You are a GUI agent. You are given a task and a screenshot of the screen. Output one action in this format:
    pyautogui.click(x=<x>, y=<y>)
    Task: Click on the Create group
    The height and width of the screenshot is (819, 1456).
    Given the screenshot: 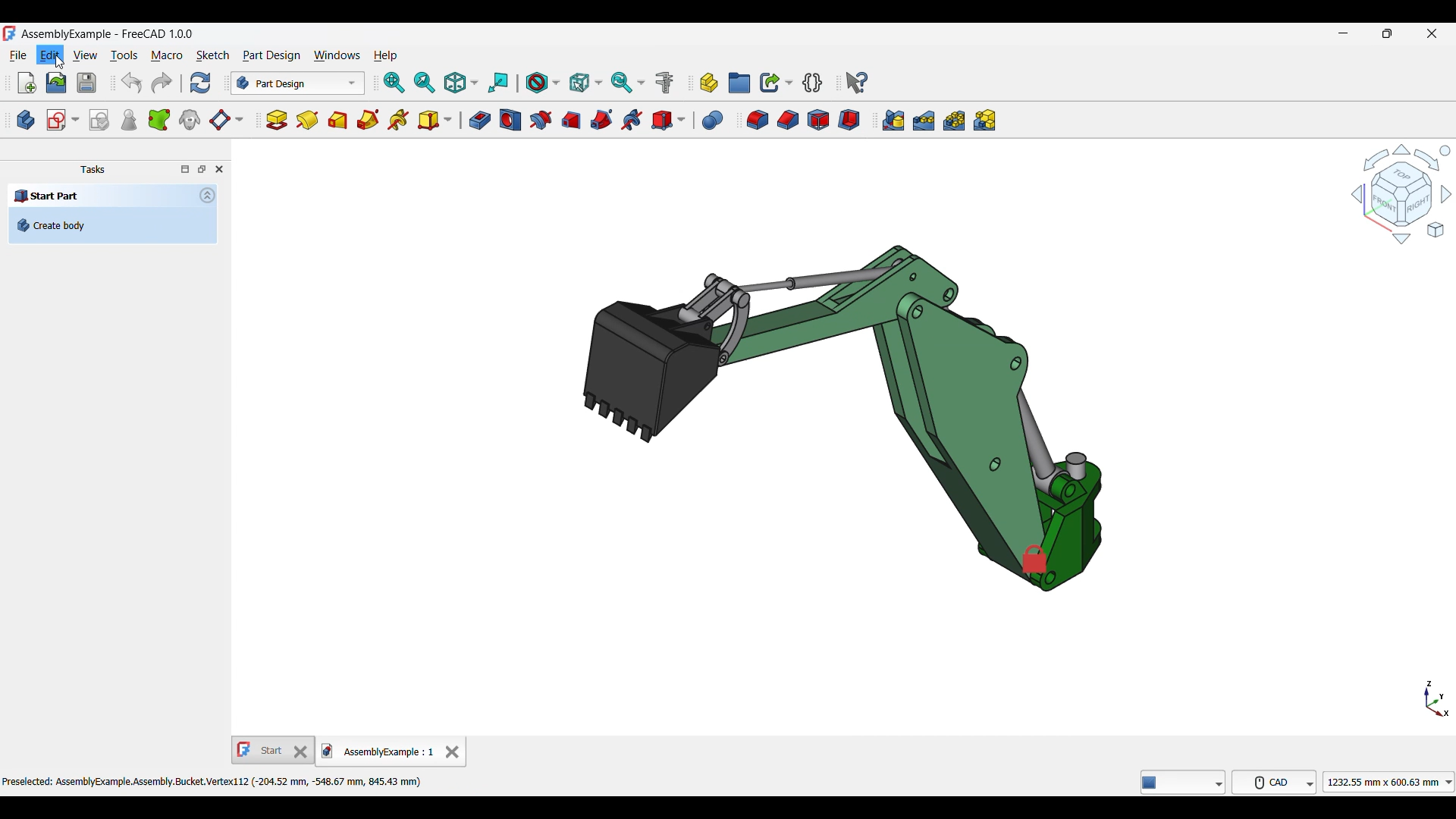 What is the action you would take?
    pyautogui.click(x=739, y=83)
    